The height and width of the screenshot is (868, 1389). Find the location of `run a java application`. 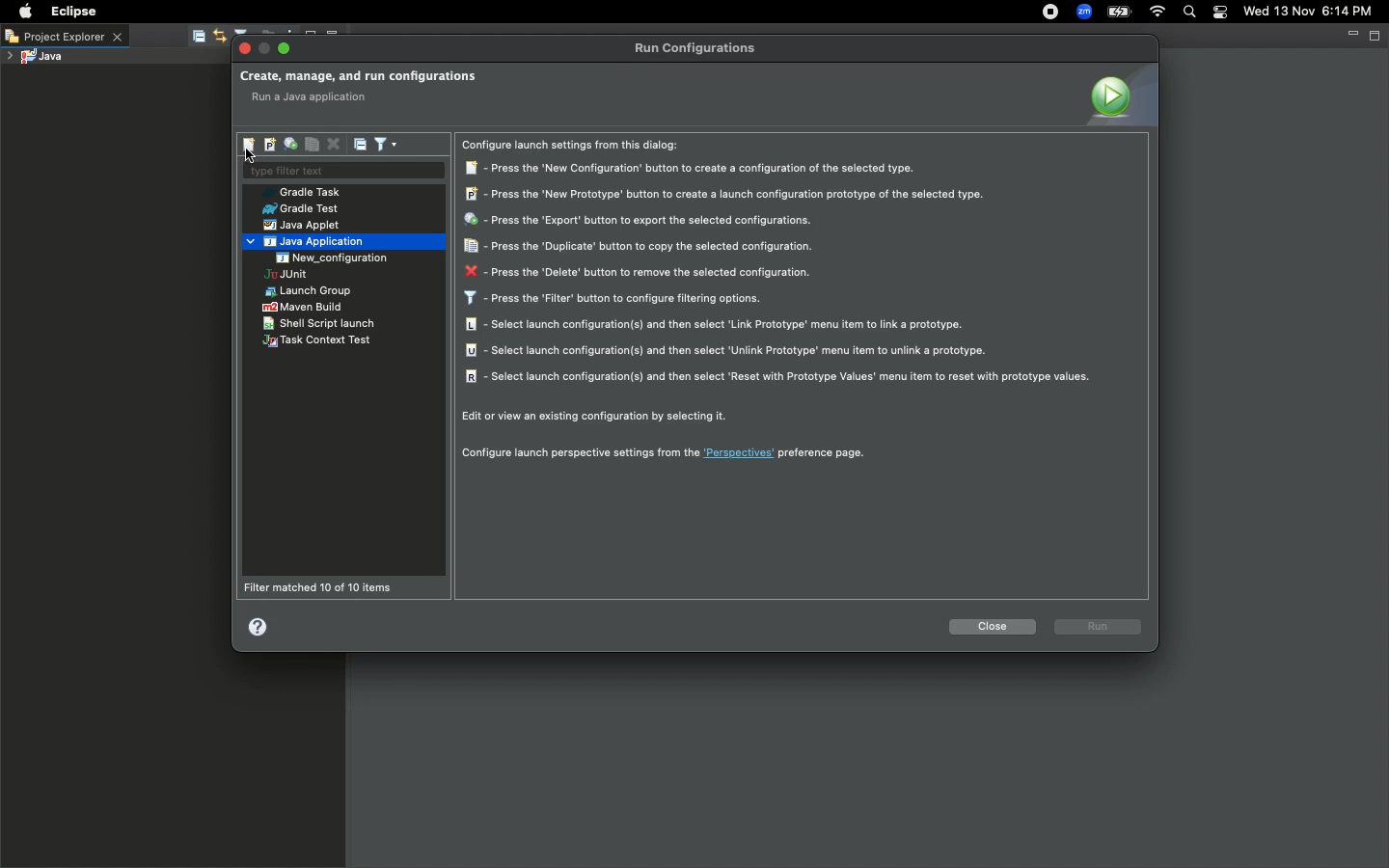

run a java application is located at coordinates (315, 98).